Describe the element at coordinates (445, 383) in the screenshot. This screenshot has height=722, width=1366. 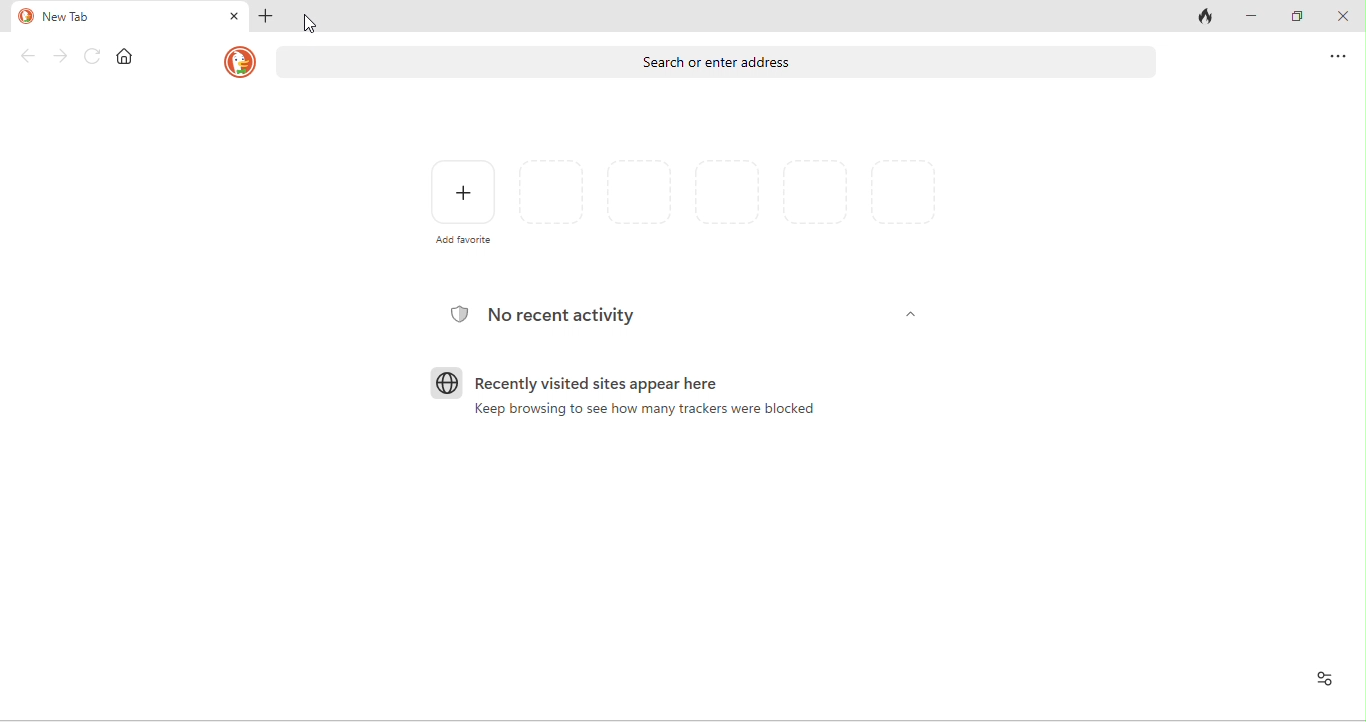
I see `browser logo` at that location.